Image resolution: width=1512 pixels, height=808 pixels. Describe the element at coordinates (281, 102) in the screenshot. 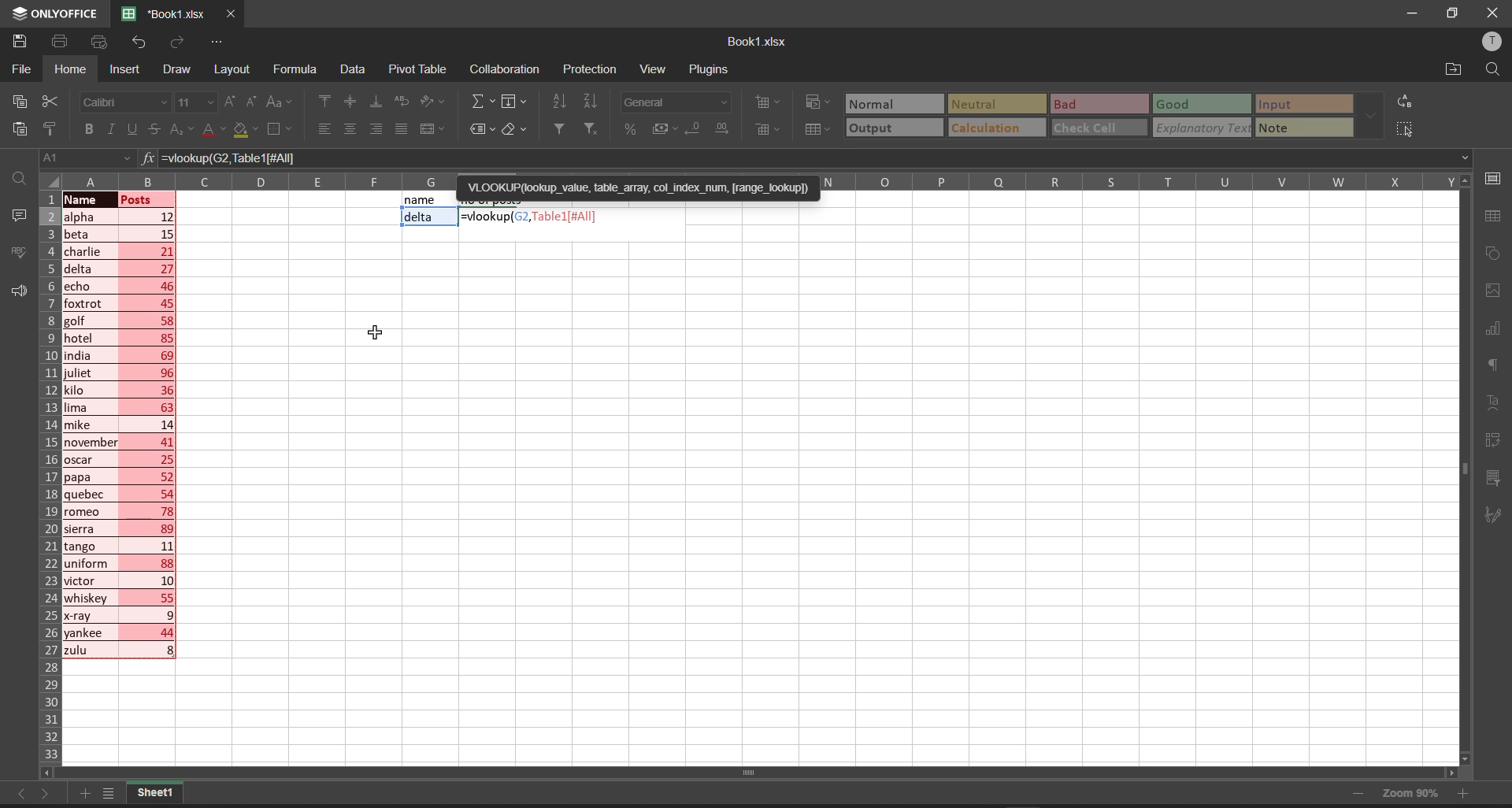

I see `change case` at that location.